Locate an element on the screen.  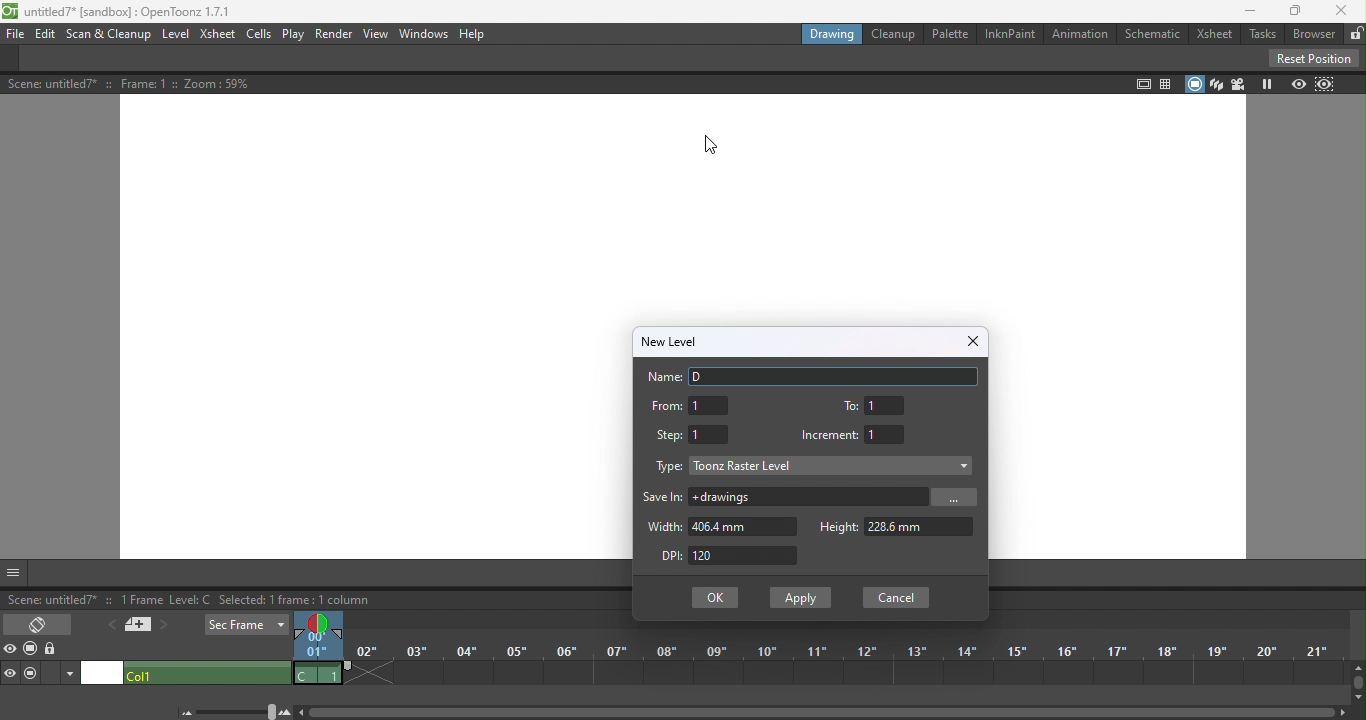
Animation is located at coordinates (1076, 34).